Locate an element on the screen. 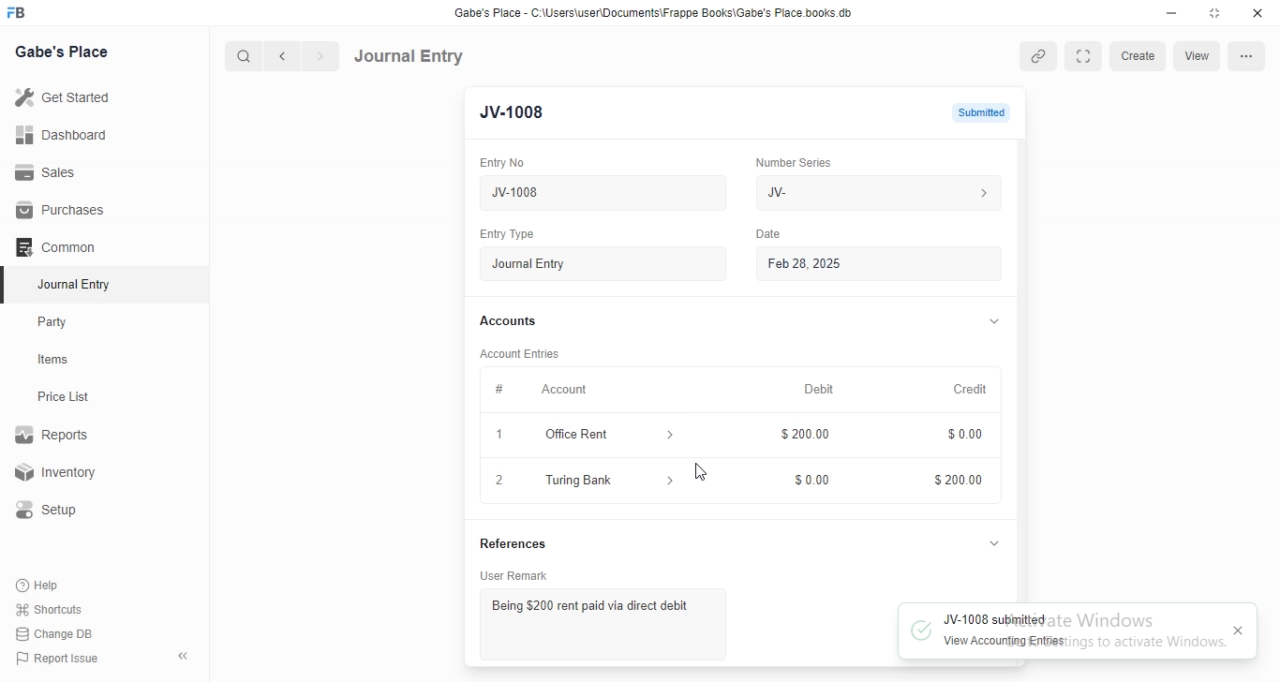  Debit is located at coordinates (821, 389).